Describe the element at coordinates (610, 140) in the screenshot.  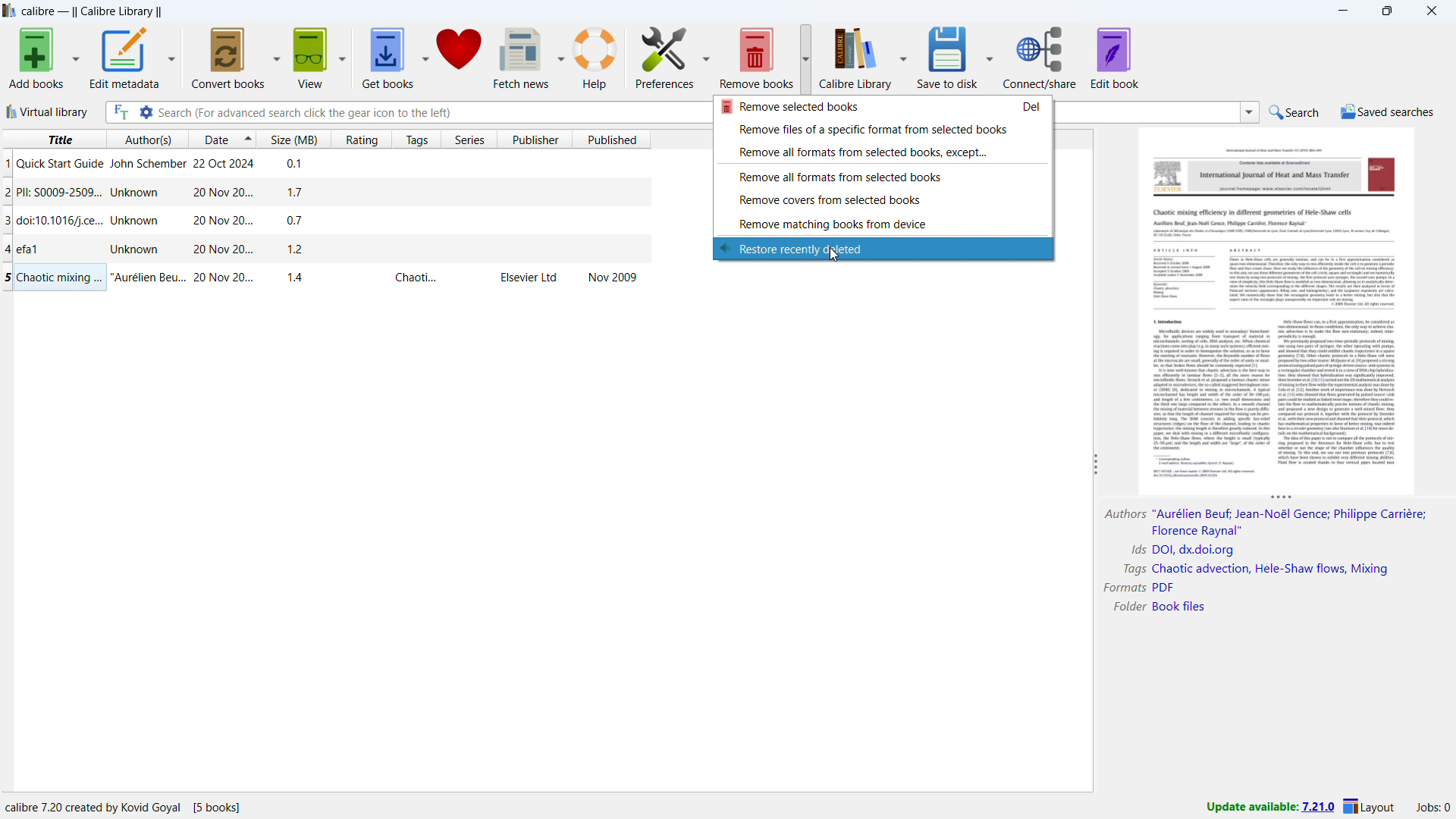
I see `sort by published` at that location.